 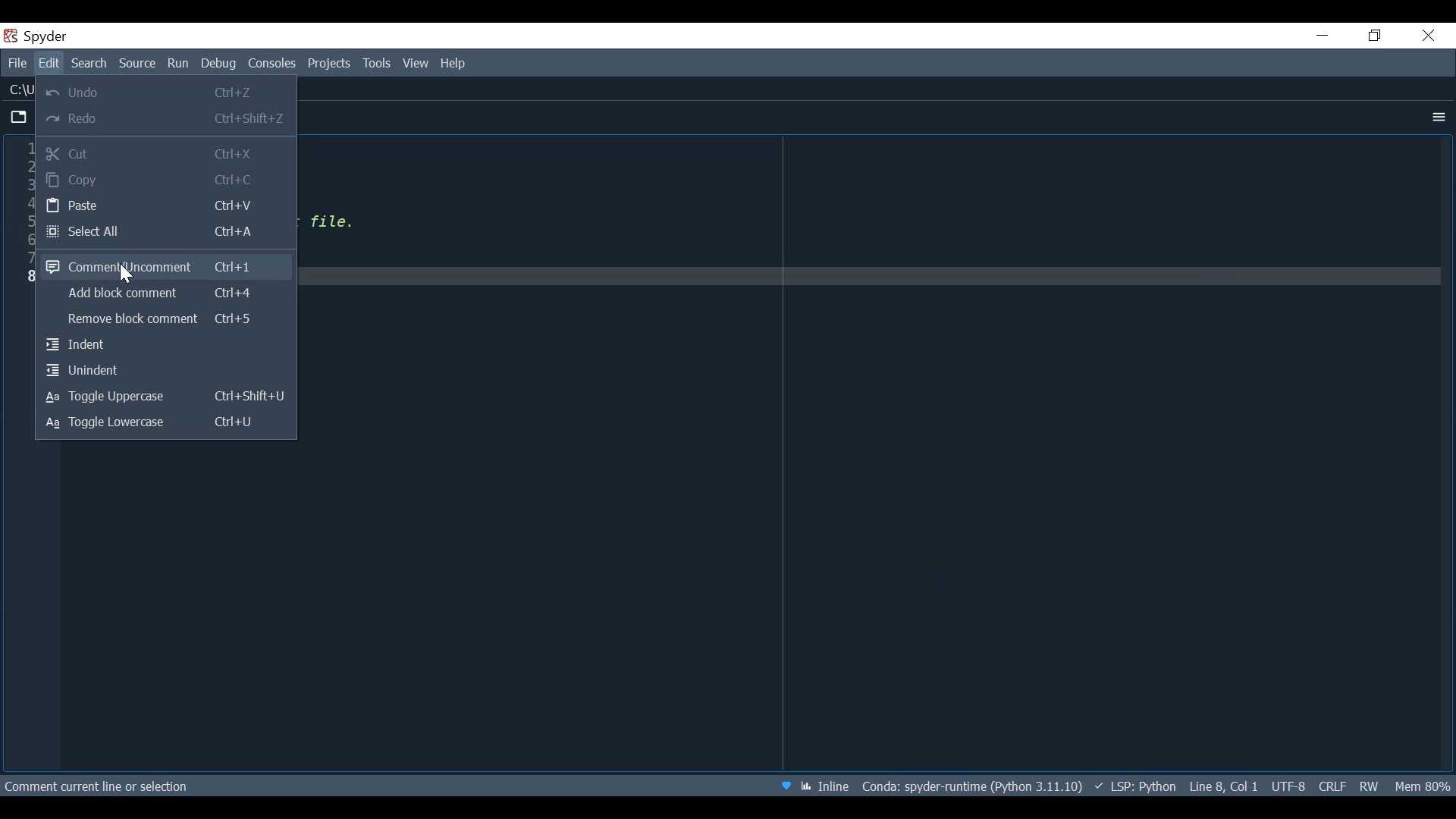 What do you see at coordinates (167, 180) in the screenshot?
I see `Copy` at bounding box center [167, 180].